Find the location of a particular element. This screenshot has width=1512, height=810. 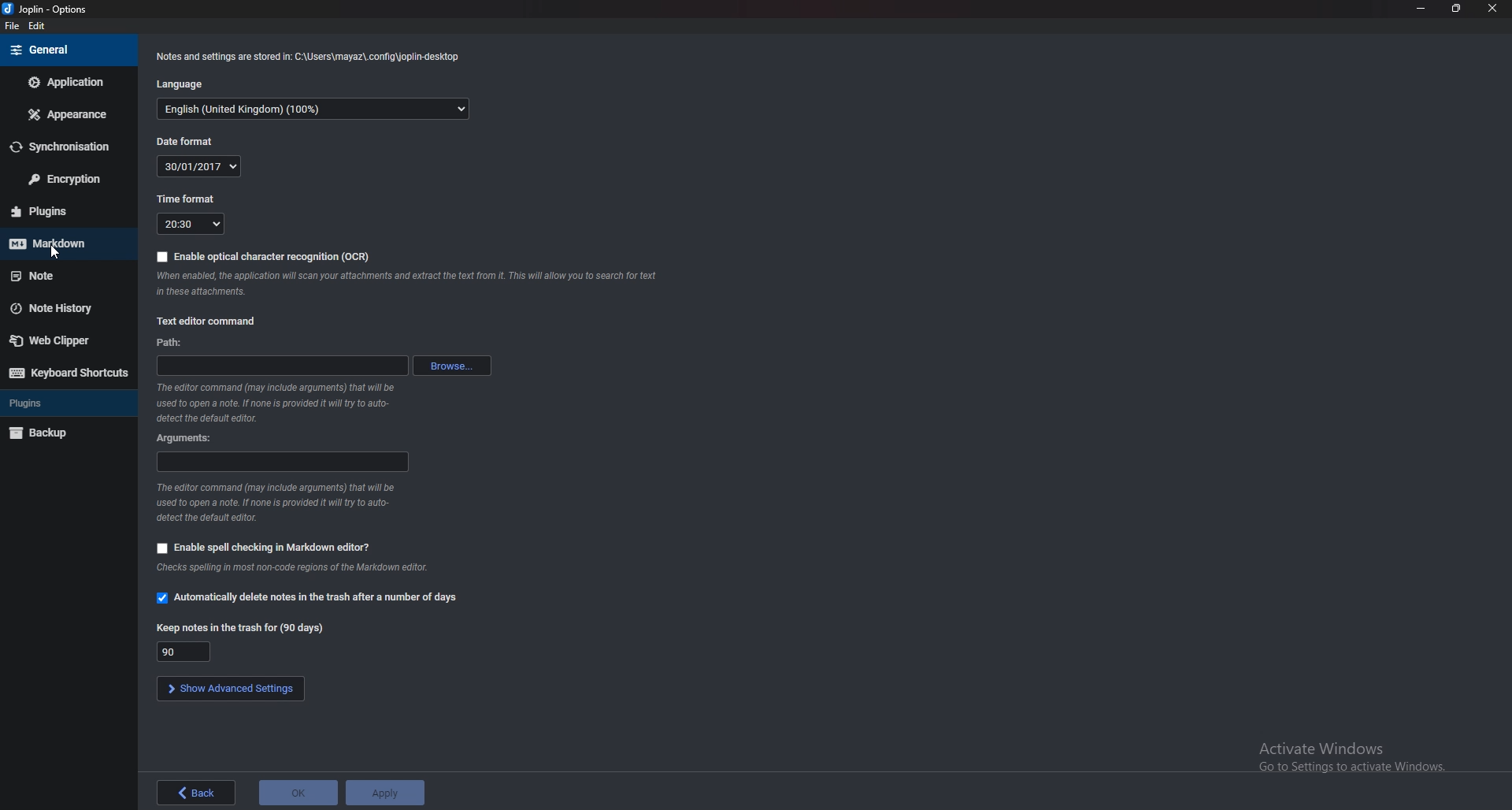

Backup is located at coordinates (66, 433).